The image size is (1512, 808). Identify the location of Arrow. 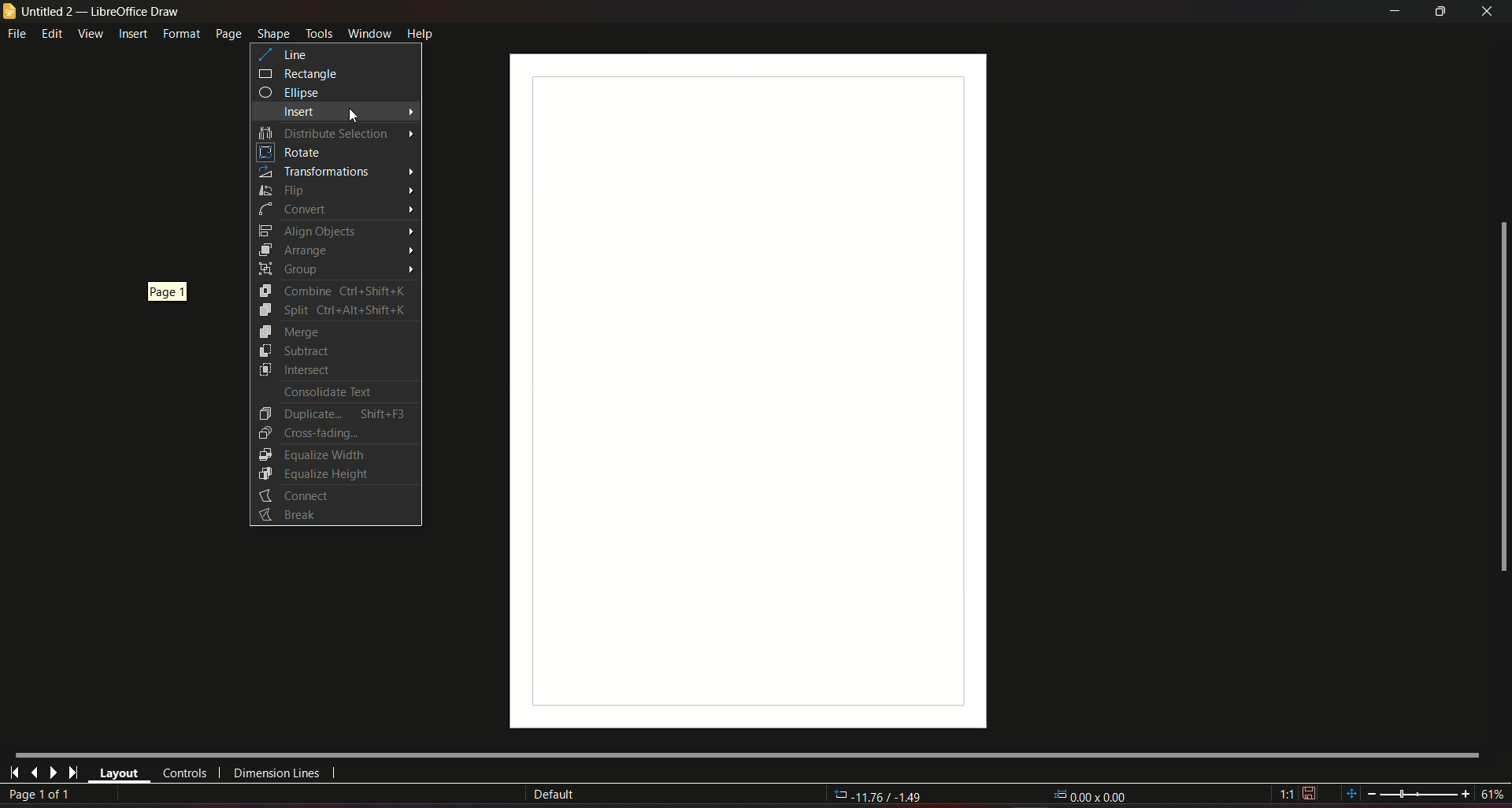
(410, 132).